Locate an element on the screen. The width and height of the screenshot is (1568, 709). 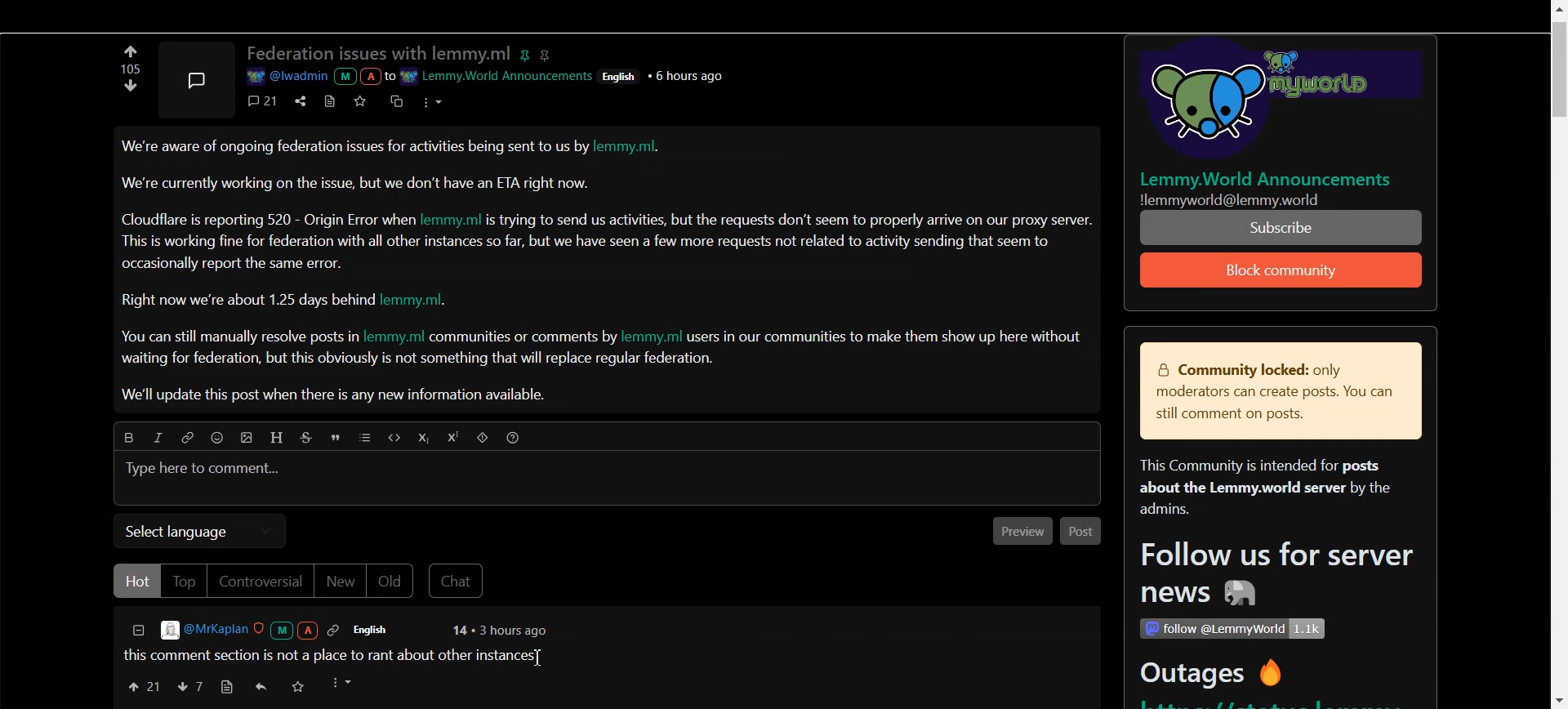
Quote is located at coordinates (338, 439).